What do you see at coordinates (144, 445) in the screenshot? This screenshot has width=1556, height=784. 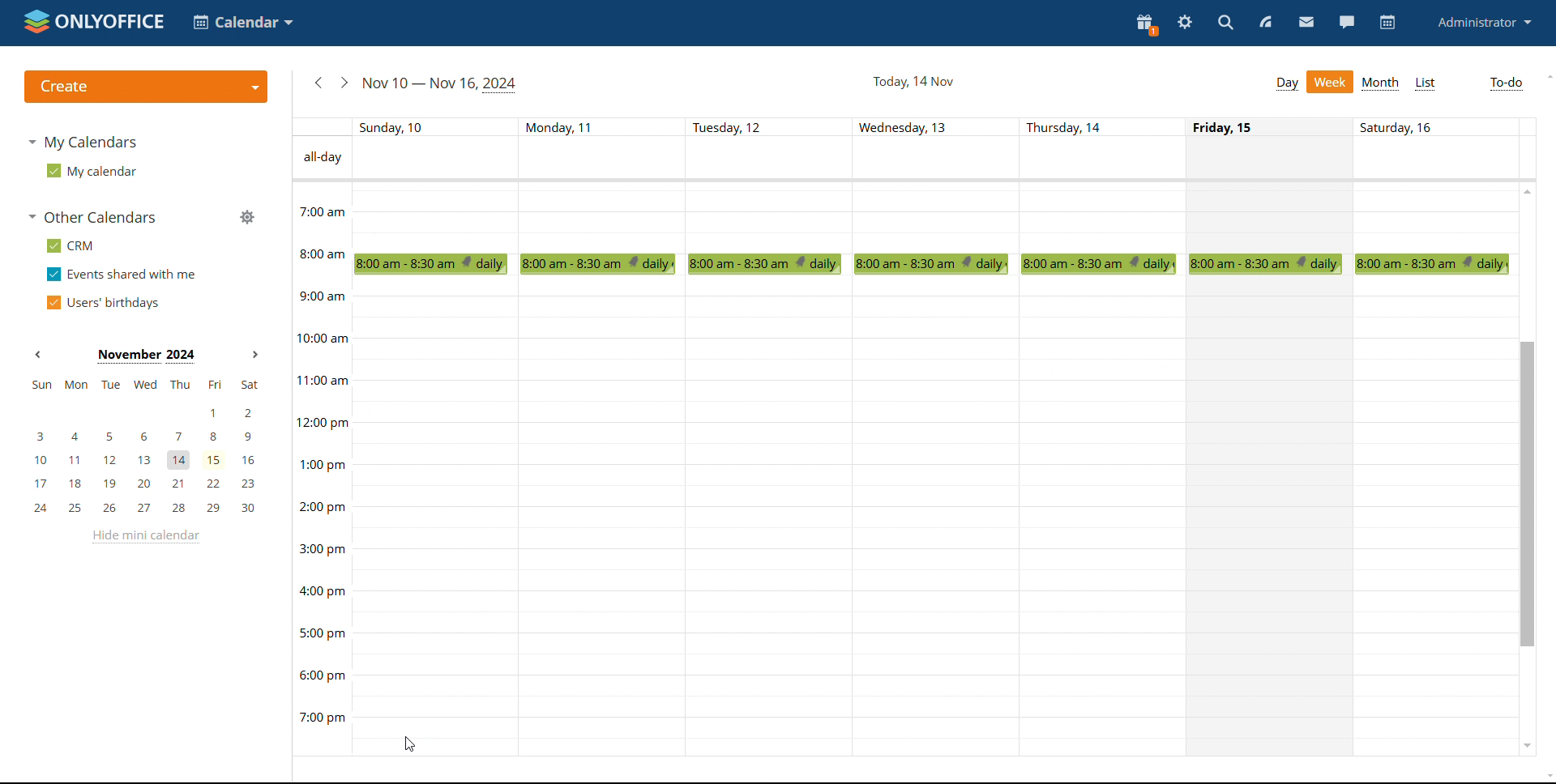 I see `mini calendar` at bounding box center [144, 445].